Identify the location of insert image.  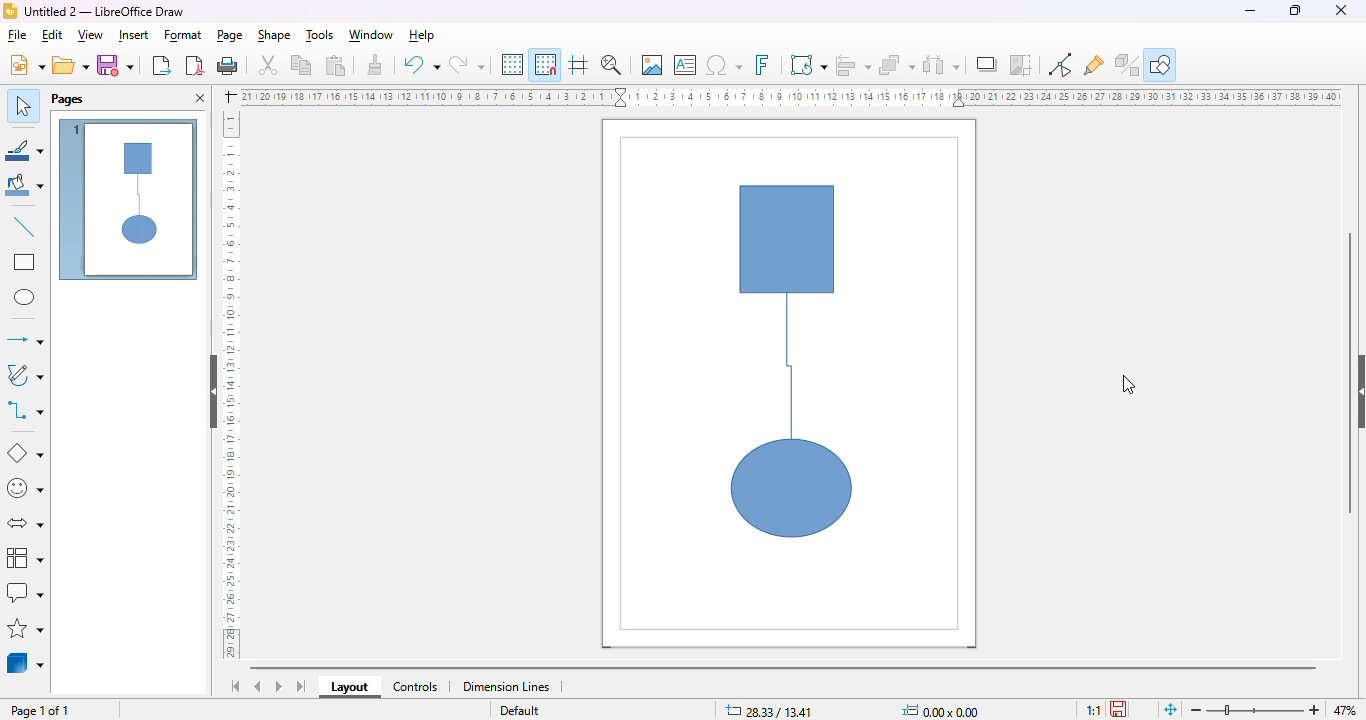
(652, 64).